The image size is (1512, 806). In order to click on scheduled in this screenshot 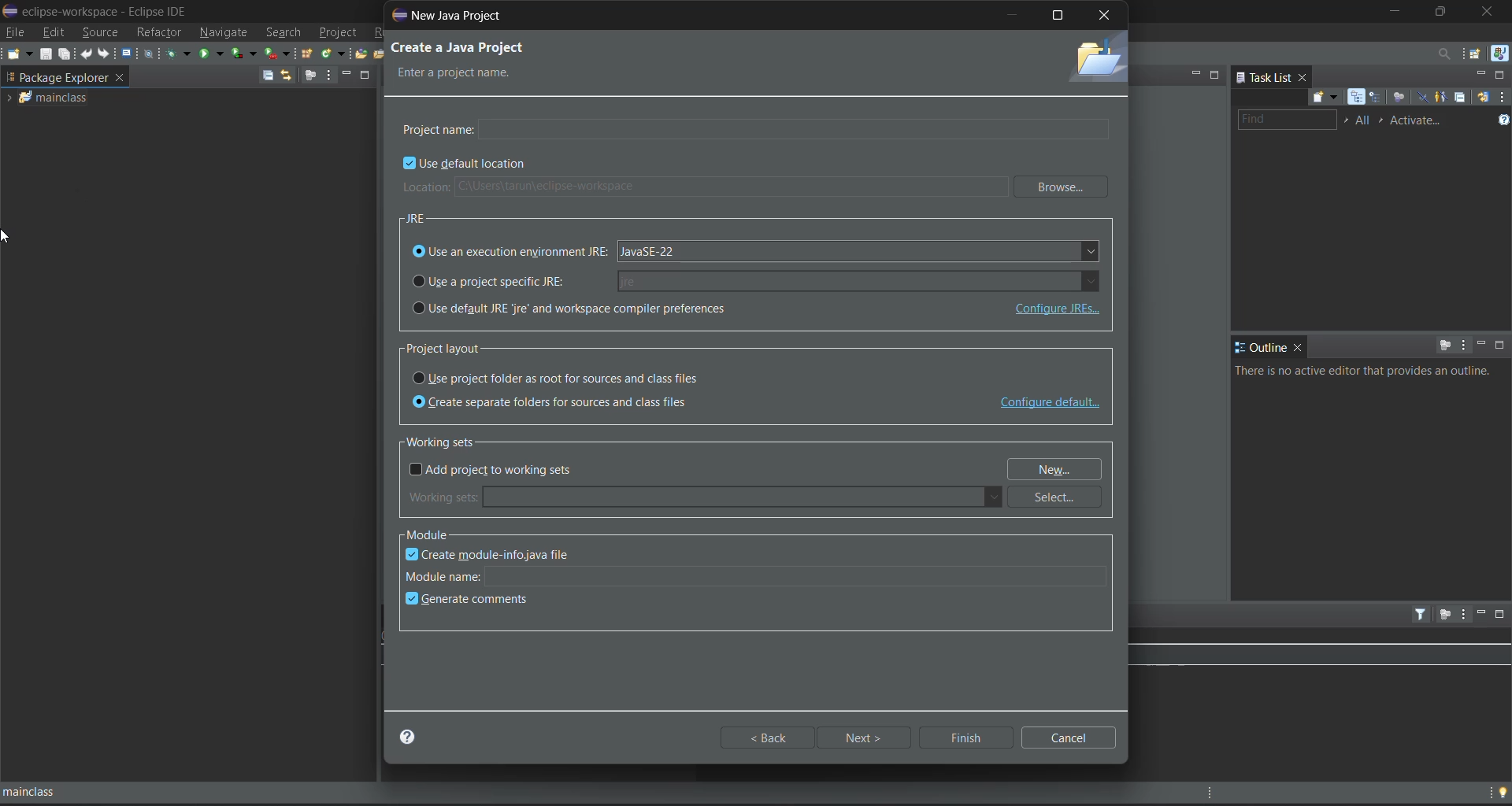, I will do `click(1376, 97)`.